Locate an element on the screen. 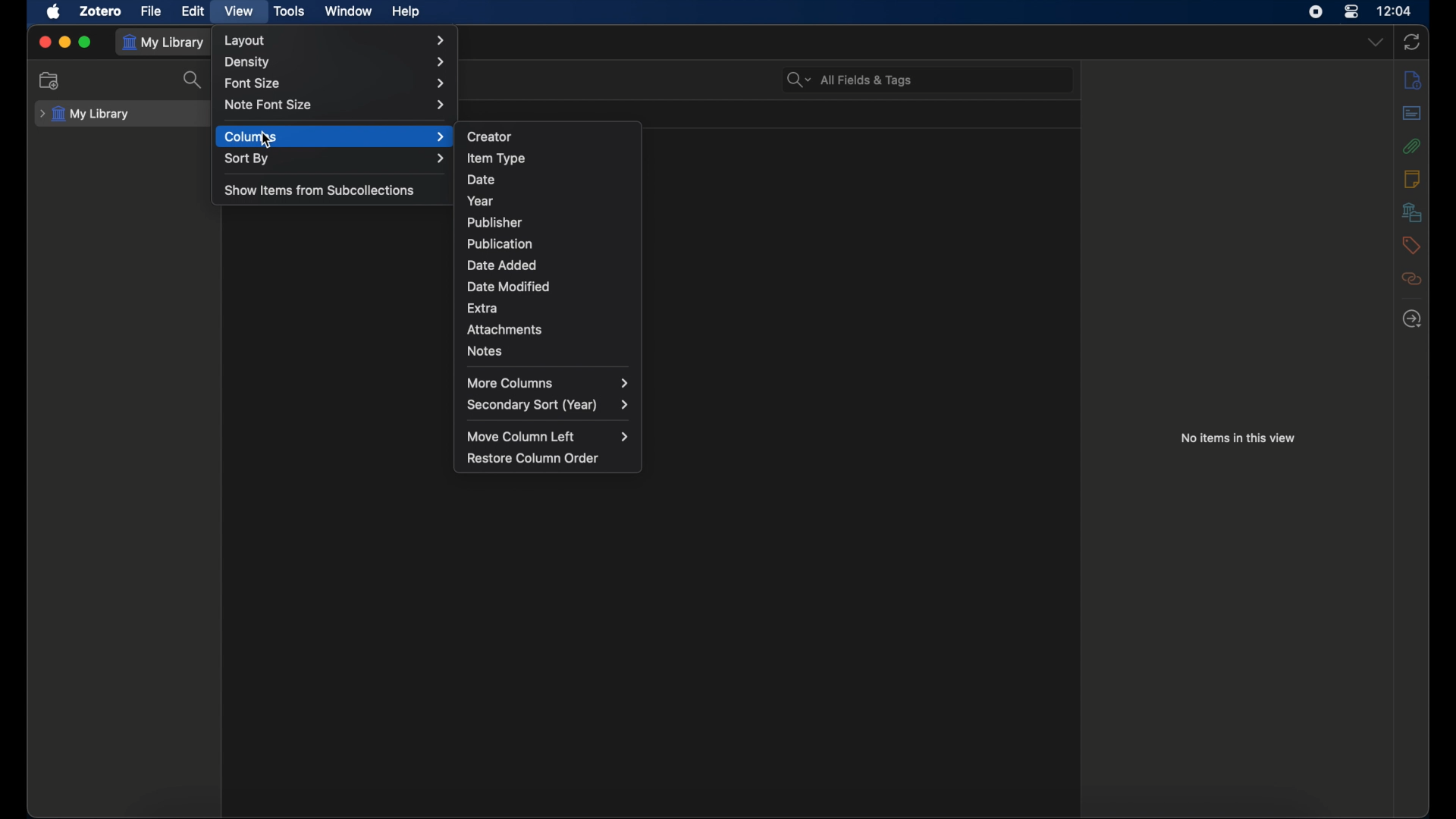 This screenshot has width=1456, height=819. attachments is located at coordinates (504, 329).